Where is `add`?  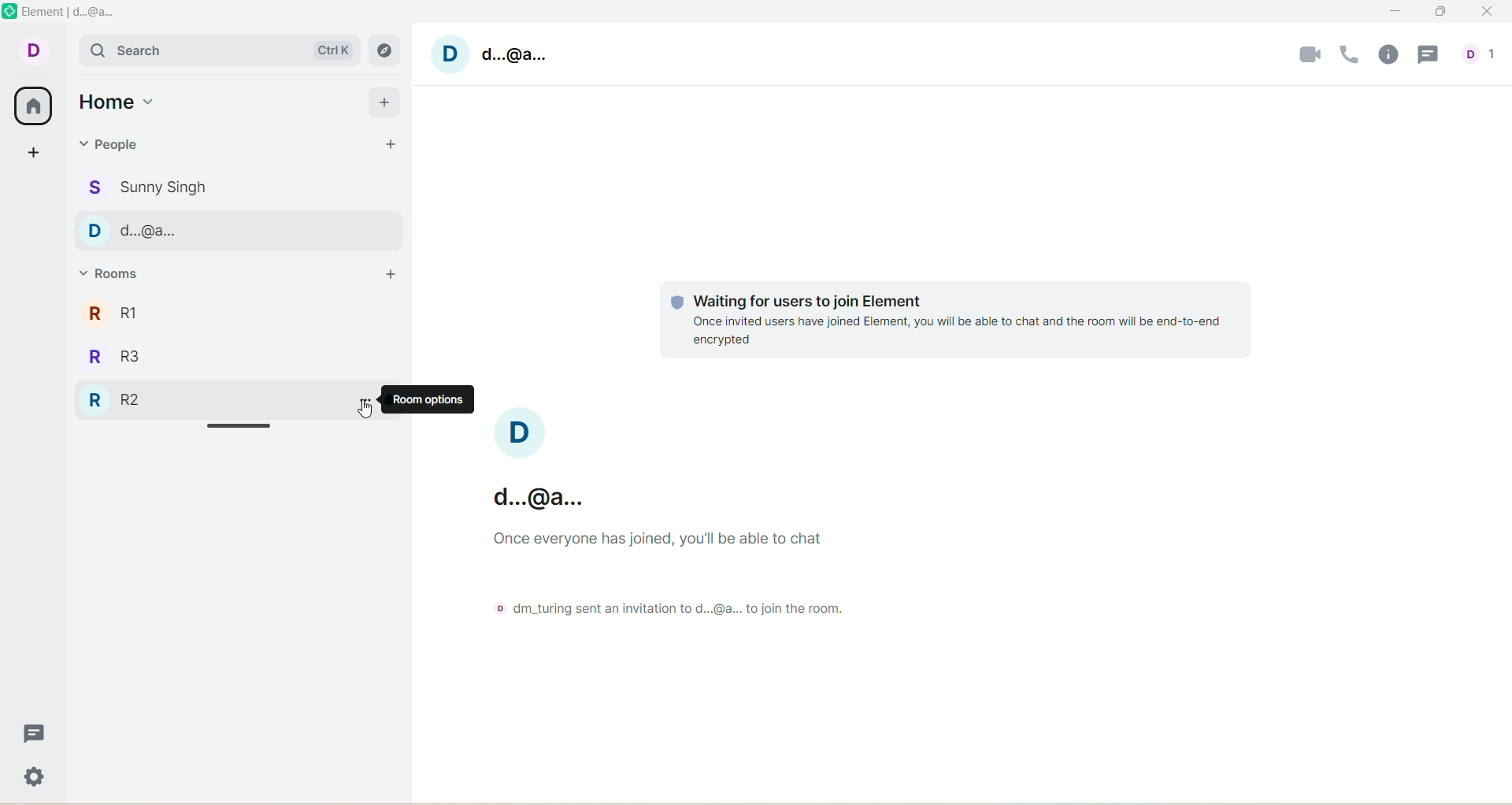
add is located at coordinates (391, 275).